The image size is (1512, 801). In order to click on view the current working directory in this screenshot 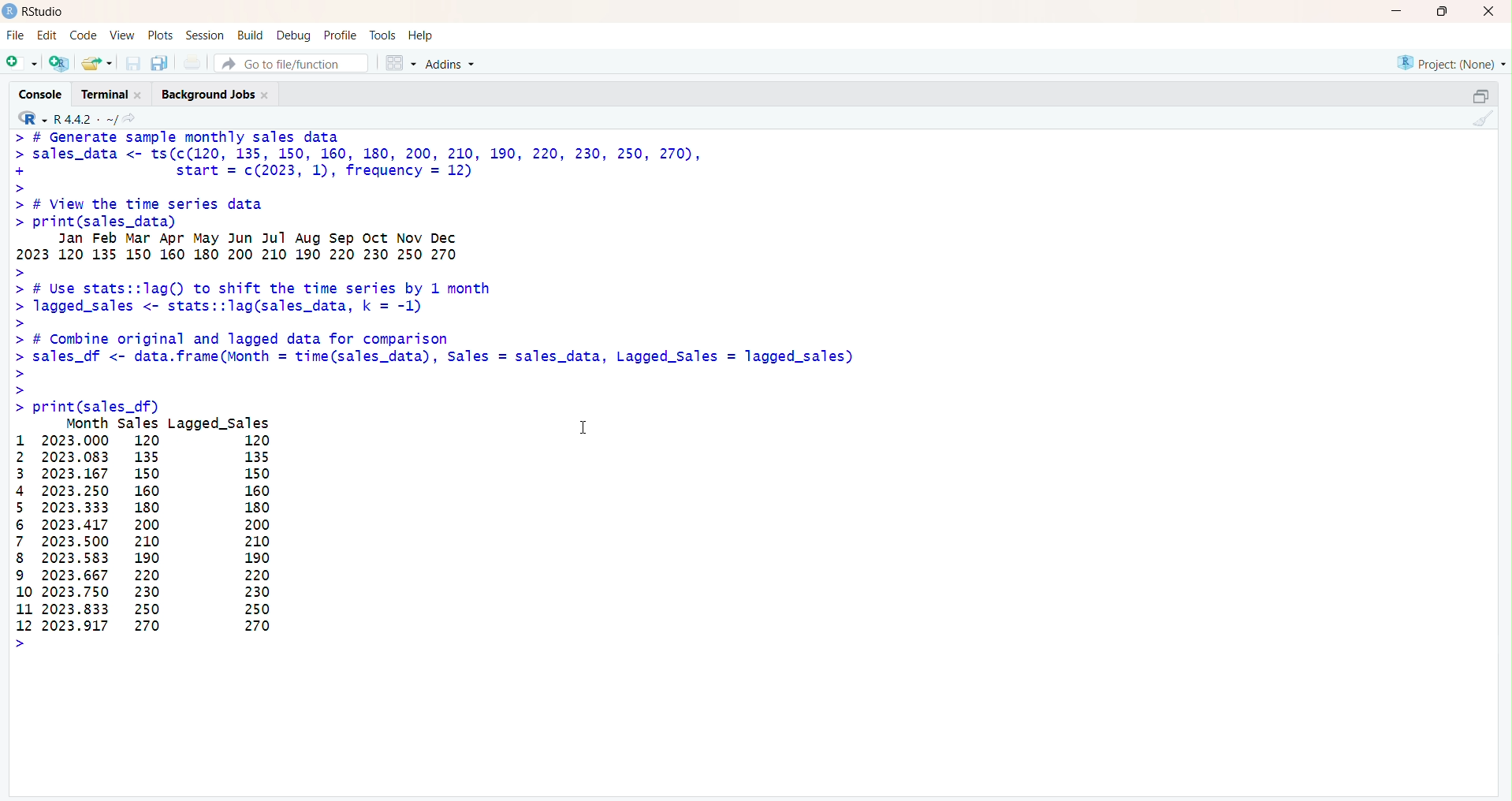, I will do `click(131, 120)`.